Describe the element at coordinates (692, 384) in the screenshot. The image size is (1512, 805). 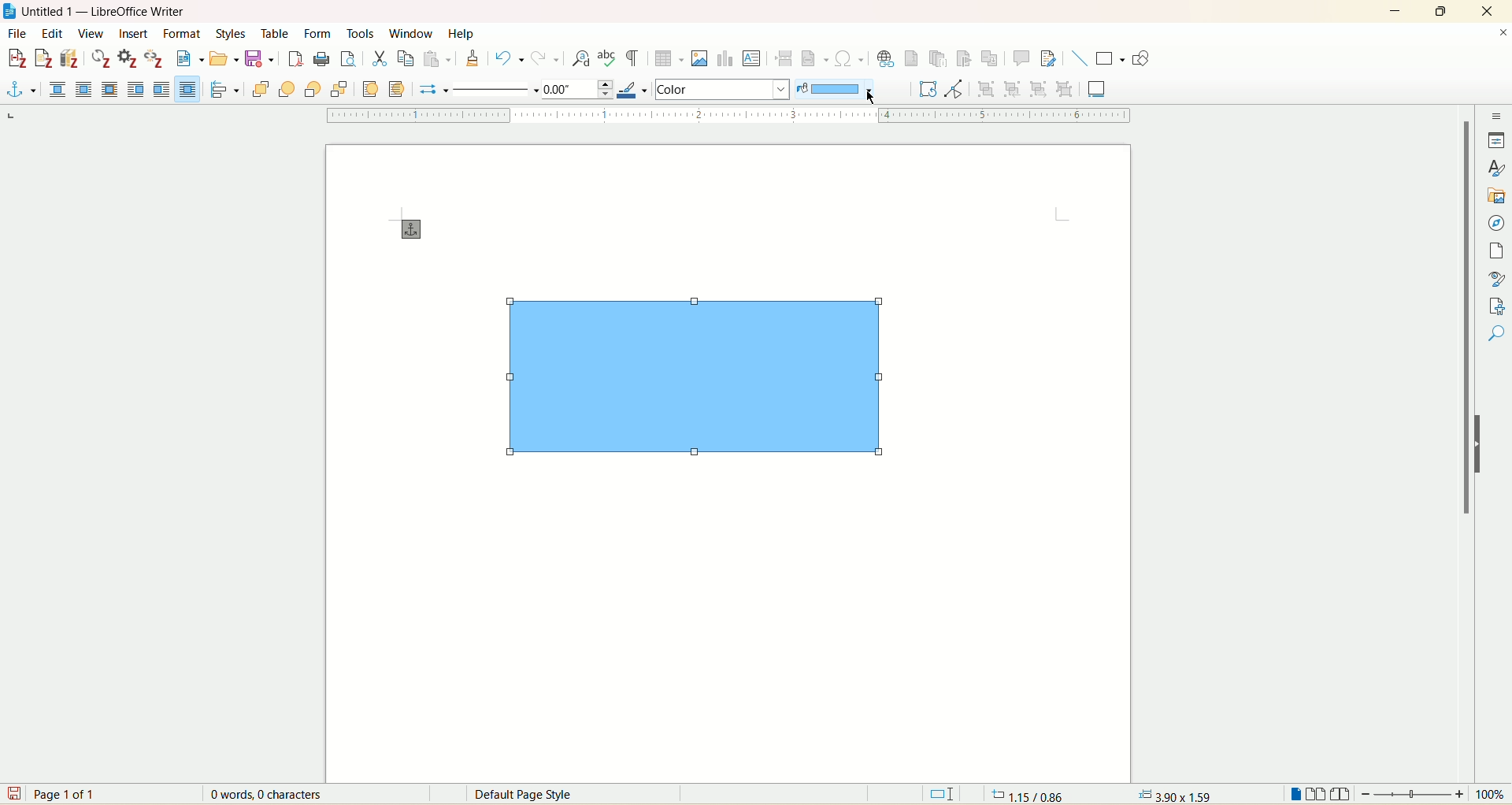
I see `shape` at that location.